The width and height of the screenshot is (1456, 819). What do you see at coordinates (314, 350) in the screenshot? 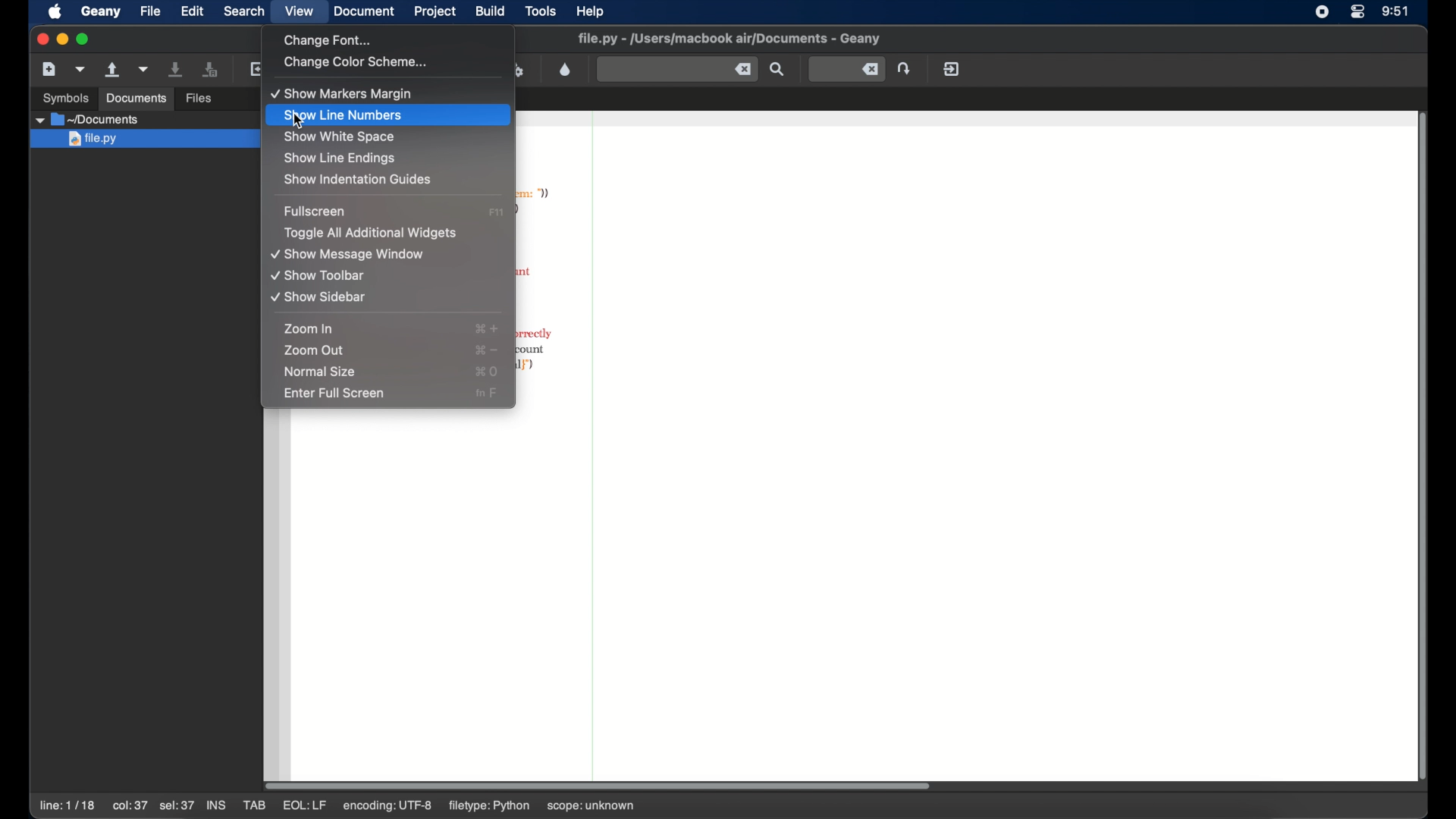
I see `zoom out` at bounding box center [314, 350].